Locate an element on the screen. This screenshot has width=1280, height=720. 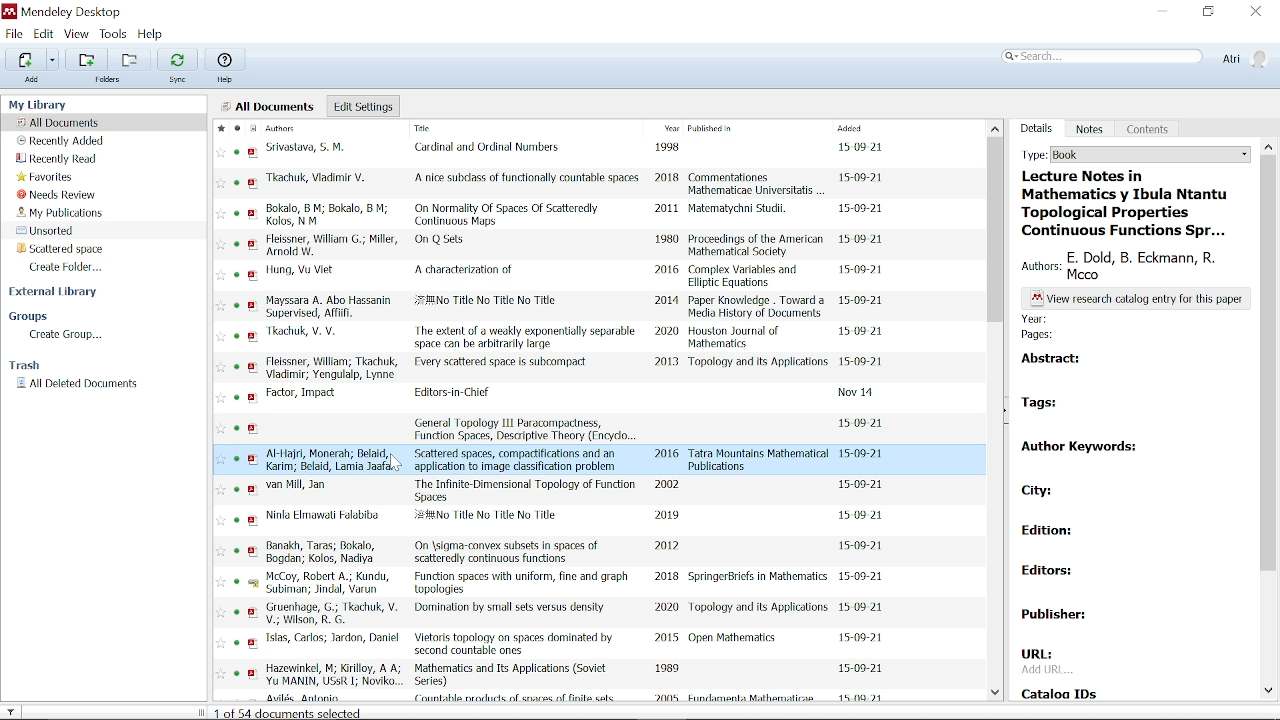
authors is located at coordinates (324, 552).